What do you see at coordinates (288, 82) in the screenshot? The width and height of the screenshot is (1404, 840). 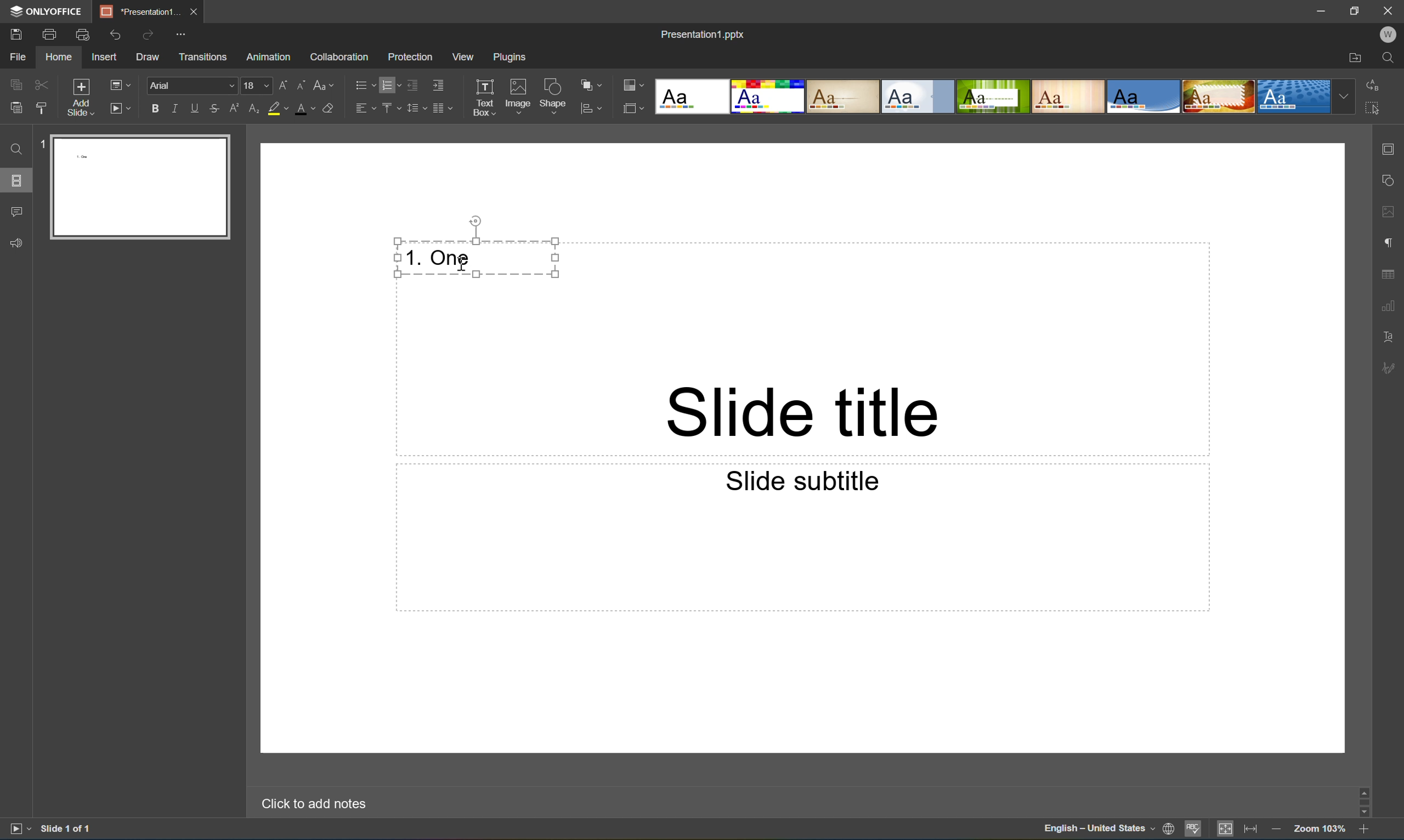 I see `Increment font size` at bounding box center [288, 82].